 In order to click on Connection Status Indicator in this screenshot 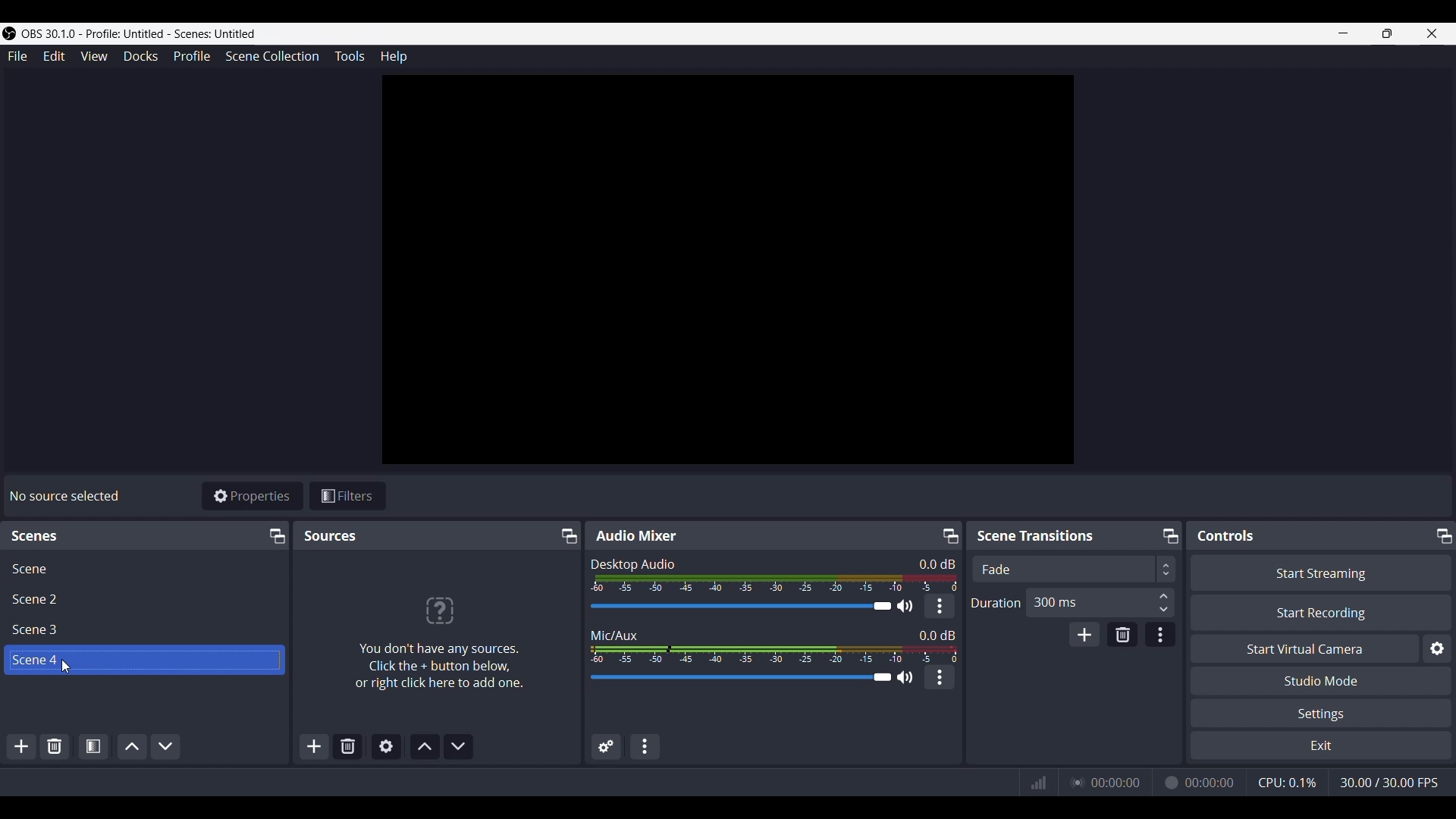, I will do `click(1038, 783)`.